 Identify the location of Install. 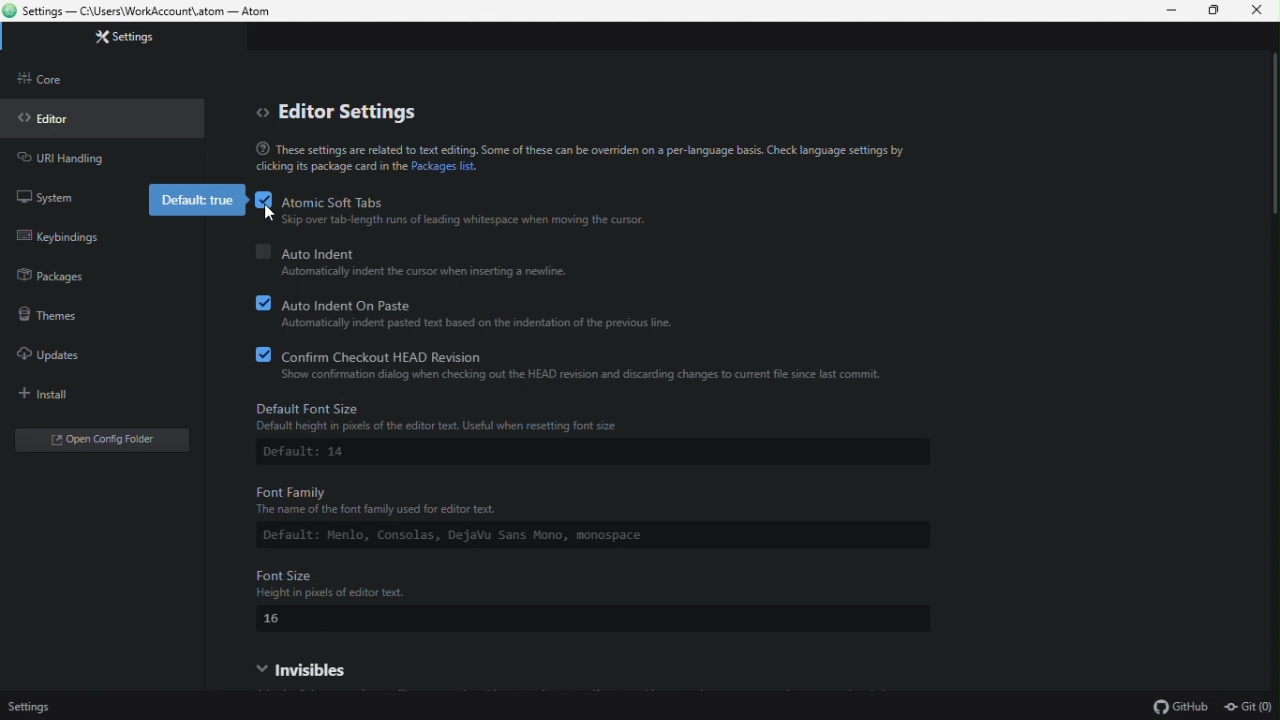
(70, 390).